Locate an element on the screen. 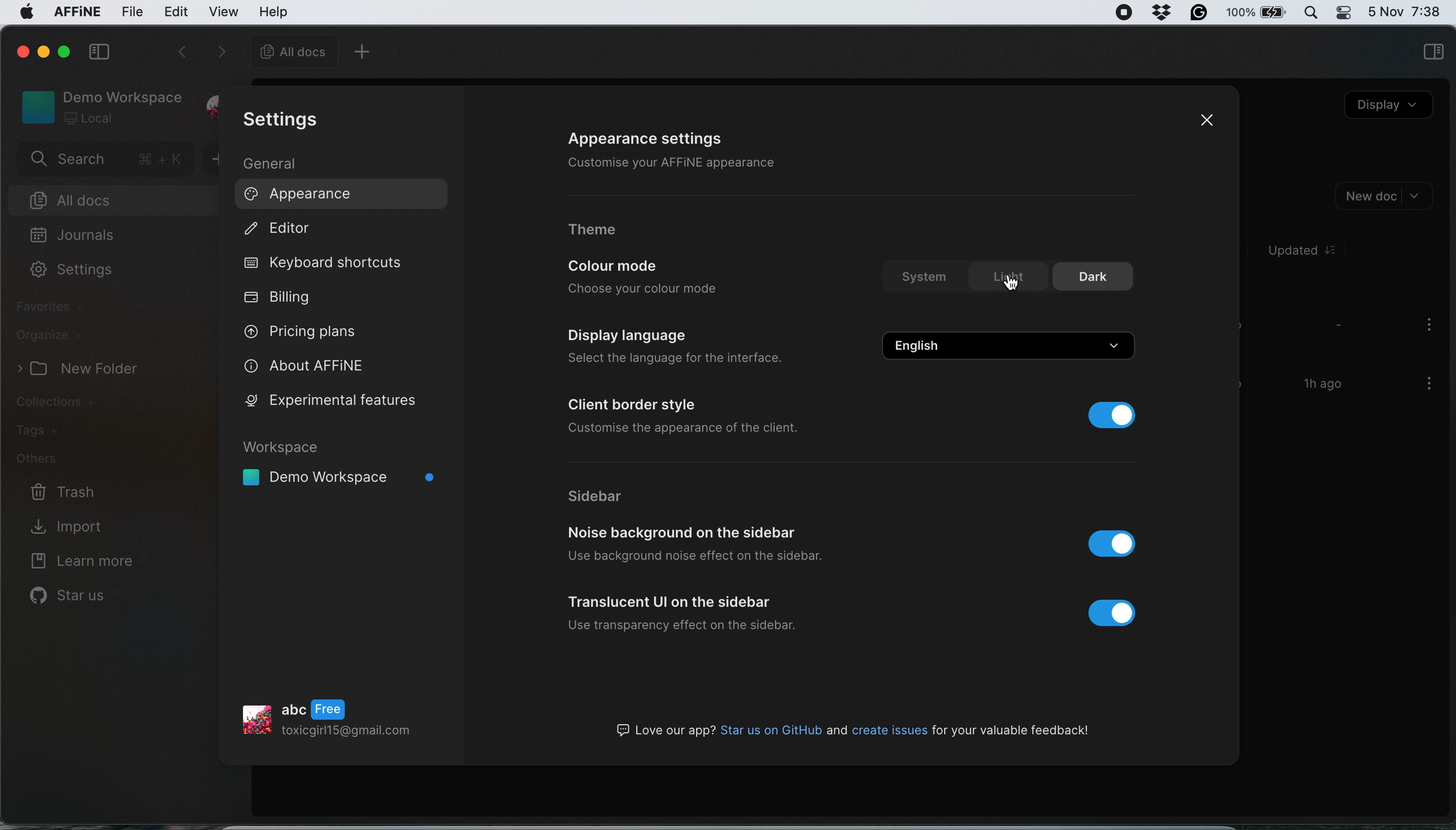 The height and width of the screenshot is (830, 1456). profile is located at coordinates (343, 721).